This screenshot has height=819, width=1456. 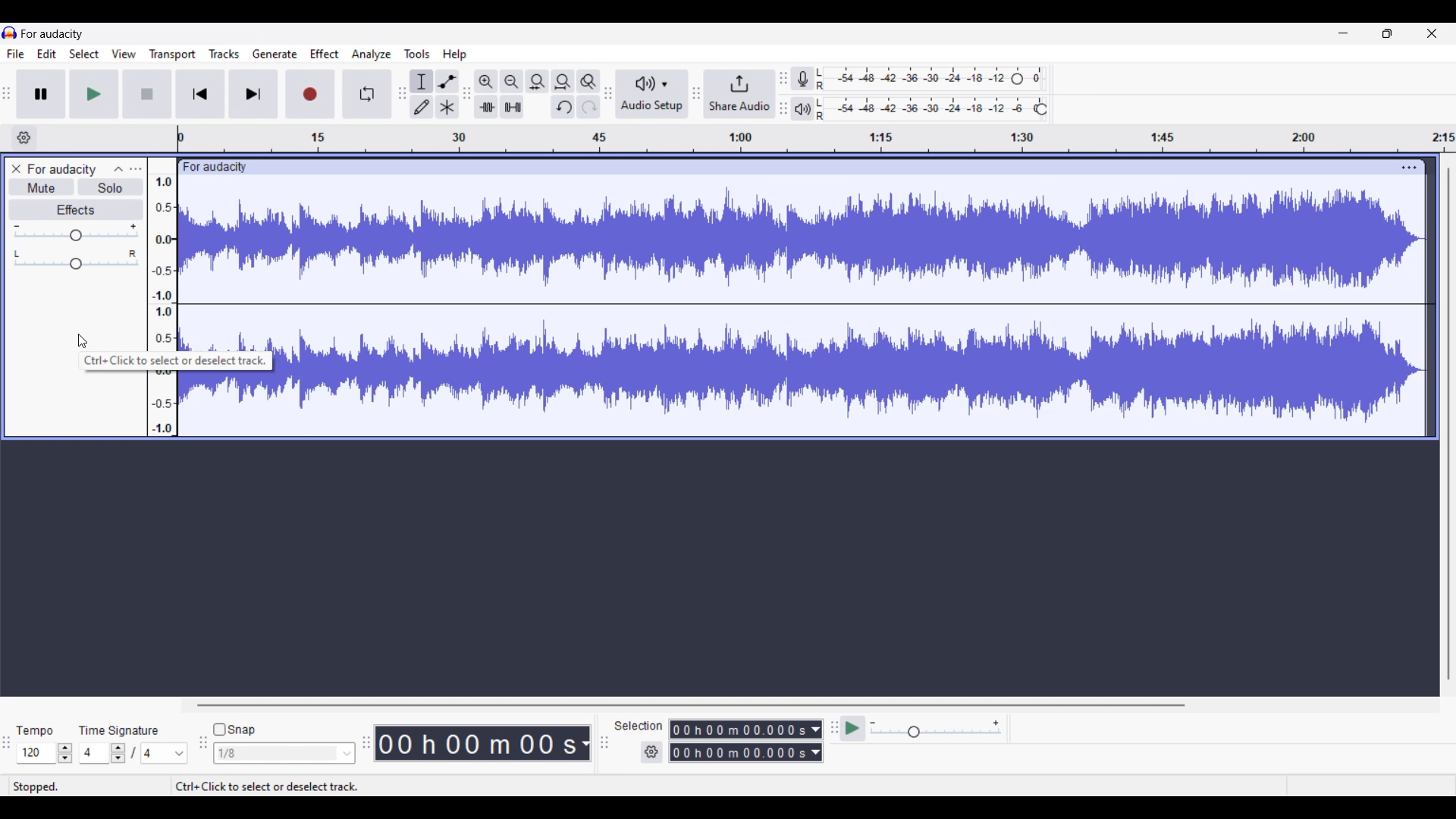 I want to click on Skip/Select to start, so click(x=201, y=94).